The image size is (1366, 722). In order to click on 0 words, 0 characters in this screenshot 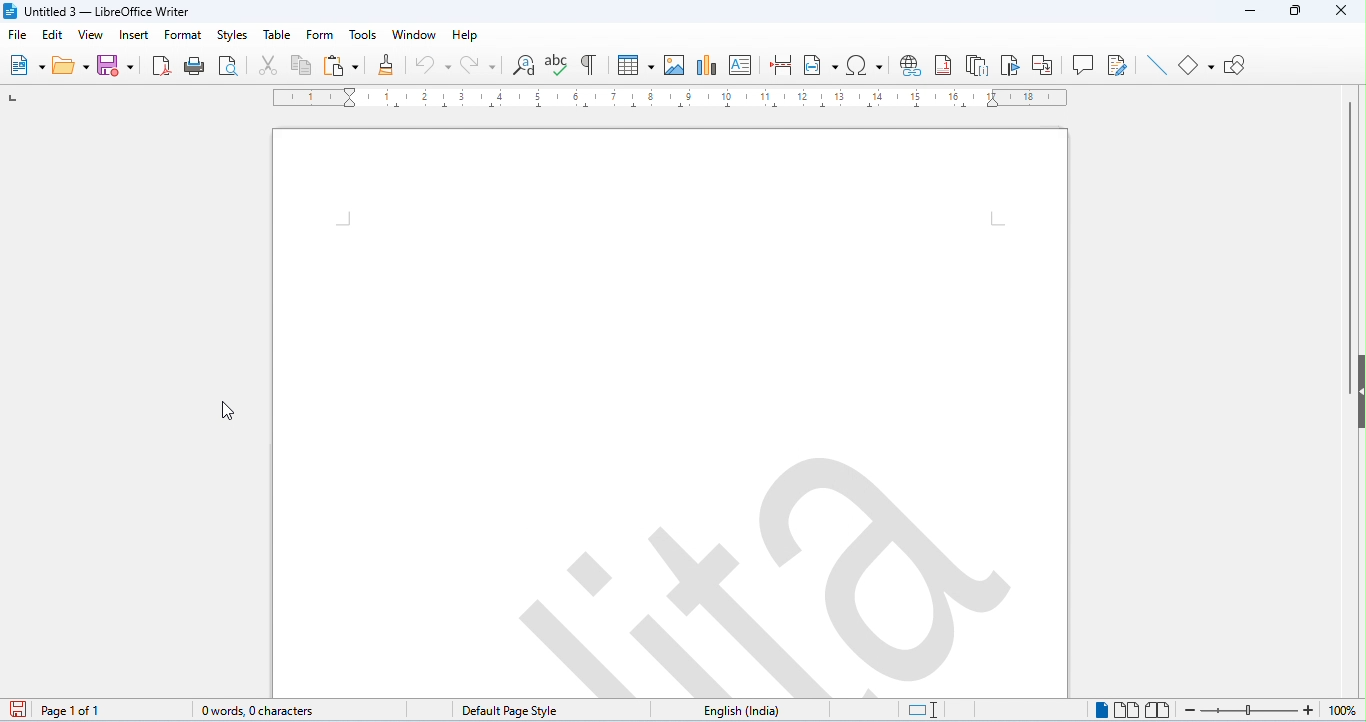, I will do `click(249, 708)`.